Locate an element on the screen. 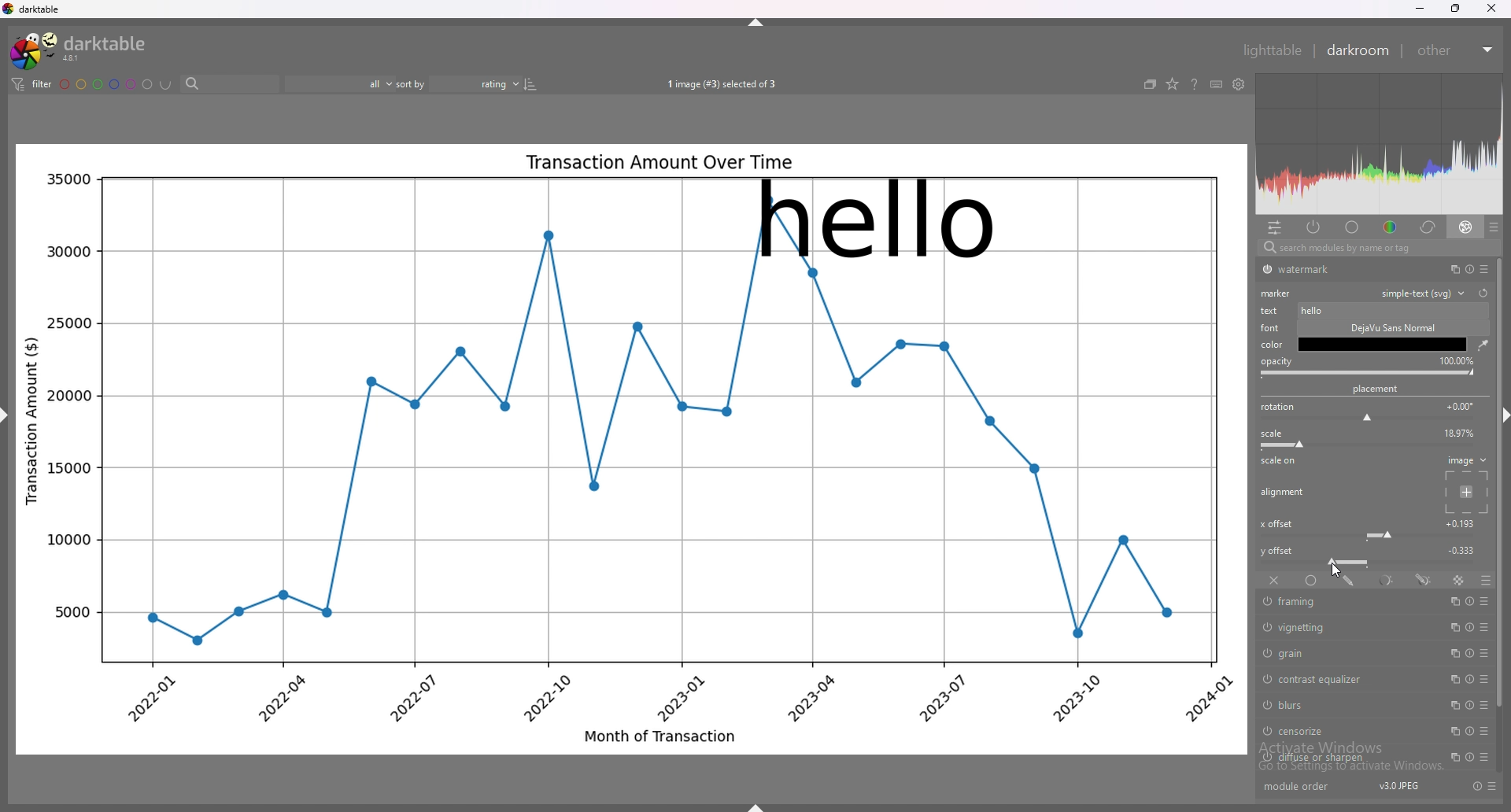 This screenshot has height=812, width=1511. close is located at coordinates (1489, 9).